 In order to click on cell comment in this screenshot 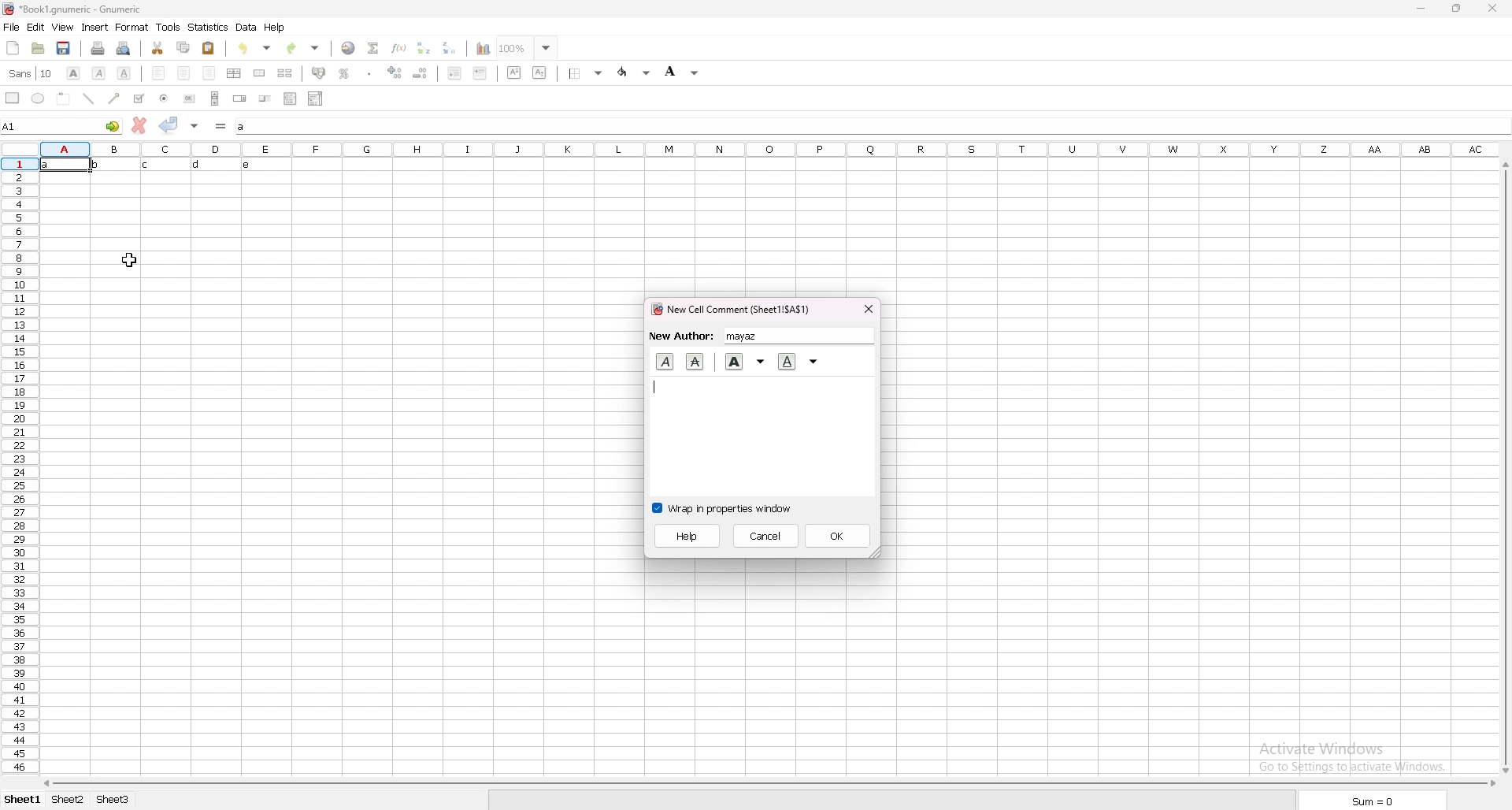, I will do `click(733, 310)`.